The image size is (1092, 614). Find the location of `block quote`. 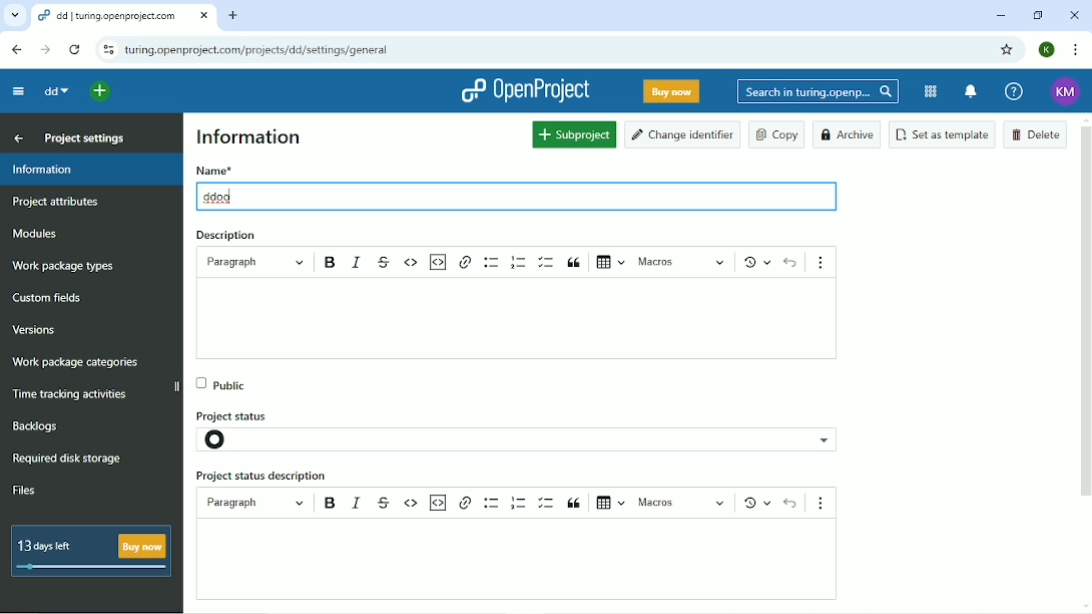

block quote is located at coordinates (577, 502).